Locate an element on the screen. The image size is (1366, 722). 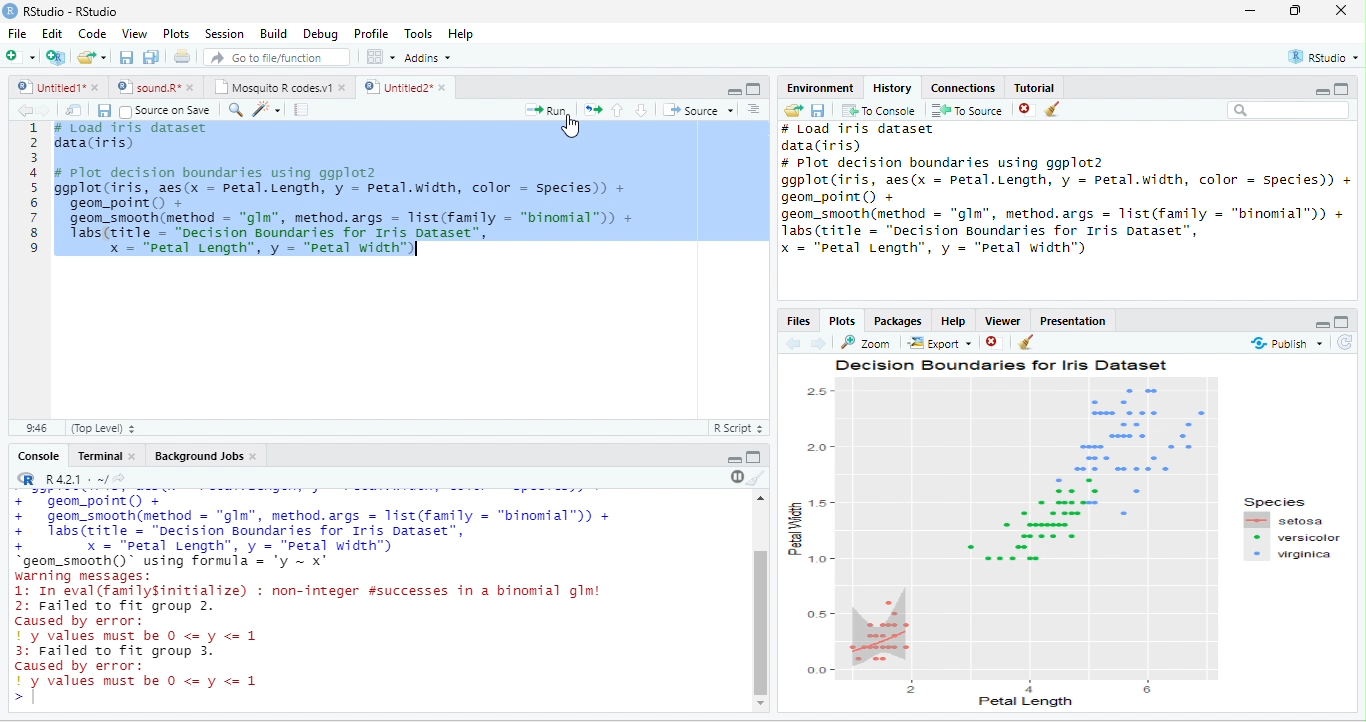
geom_smooth(method = gim , method.args = list(Tamily = binomial )) +
Tabs(title - “Decision Boundaries for Iris Dataset”,
x = "petal Length”, y = "Petal width") is located at coordinates (353, 237).